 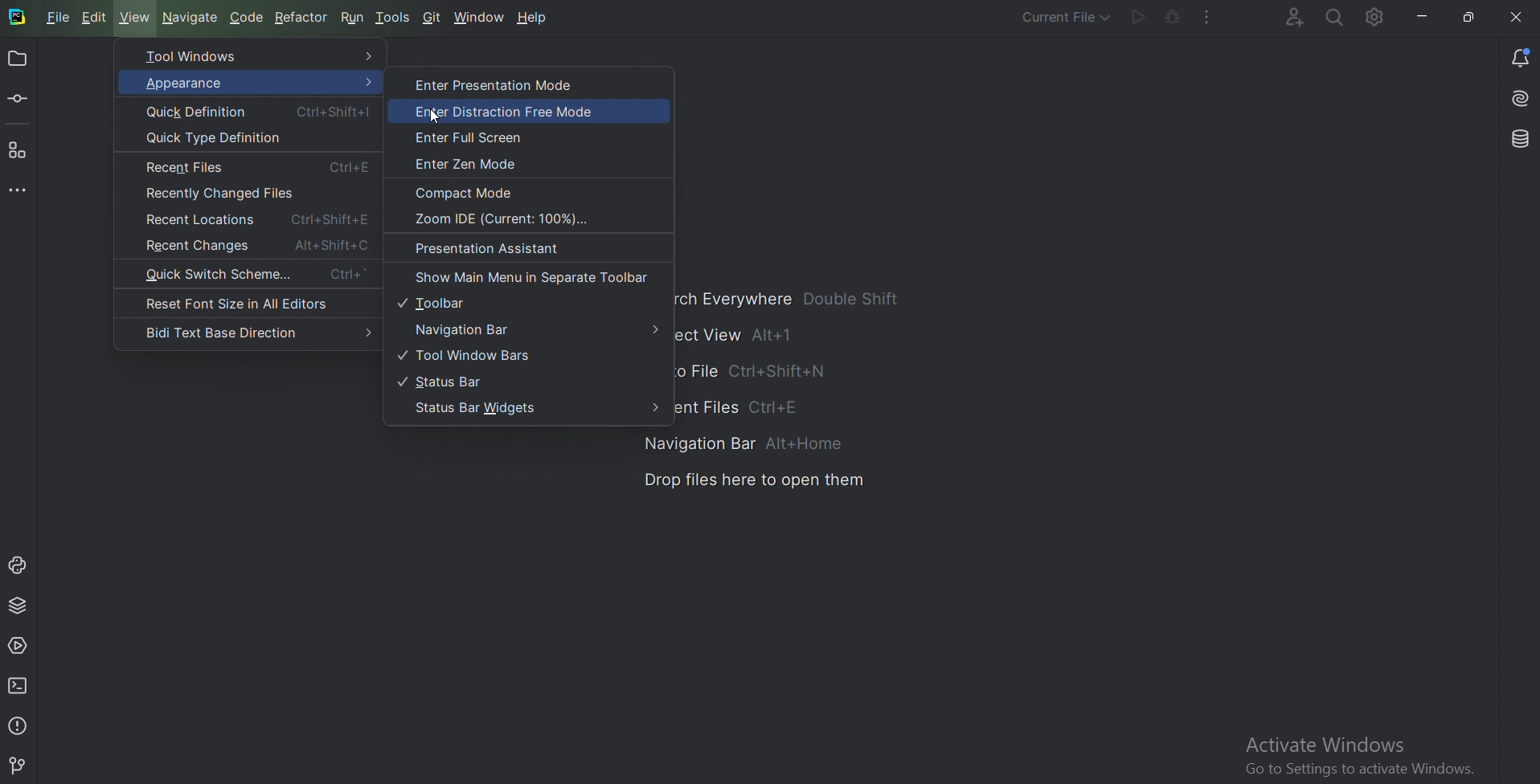 What do you see at coordinates (225, 194) in the screenshot?
I see `Recently changed files` at bounding box center [225, 194].